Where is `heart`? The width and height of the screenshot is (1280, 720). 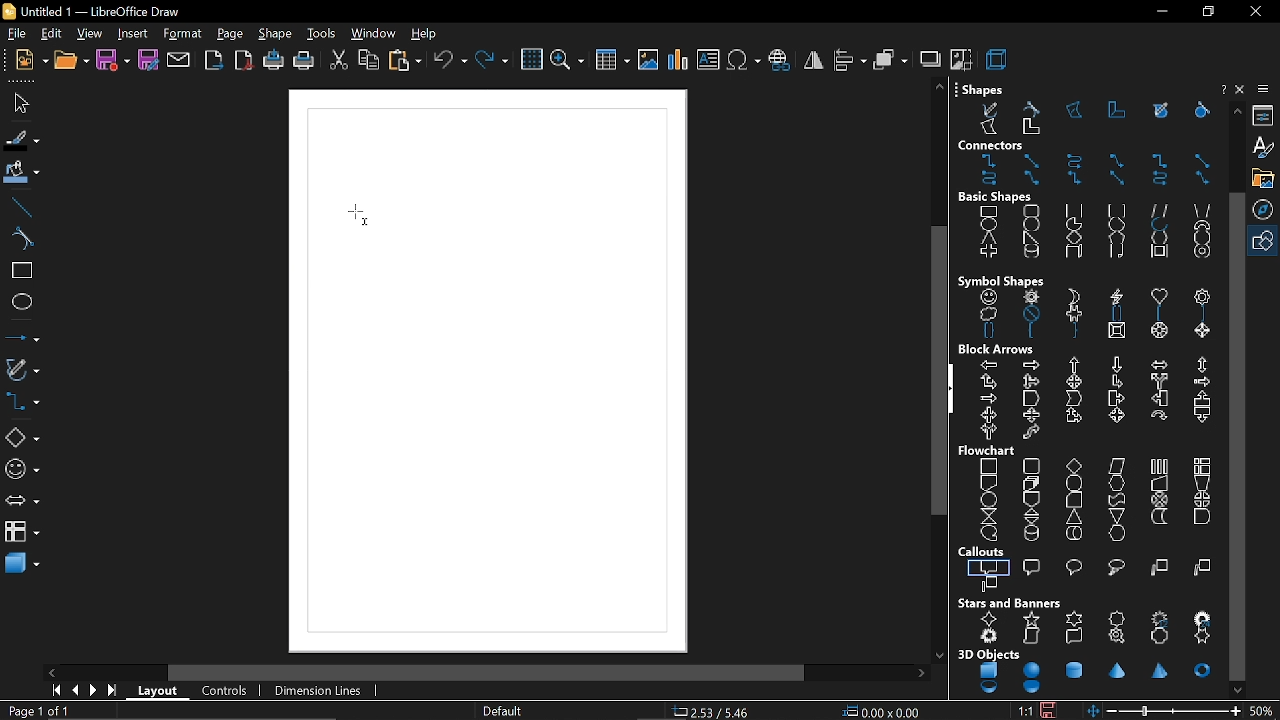 heart is located at coordinates (1159, 297).